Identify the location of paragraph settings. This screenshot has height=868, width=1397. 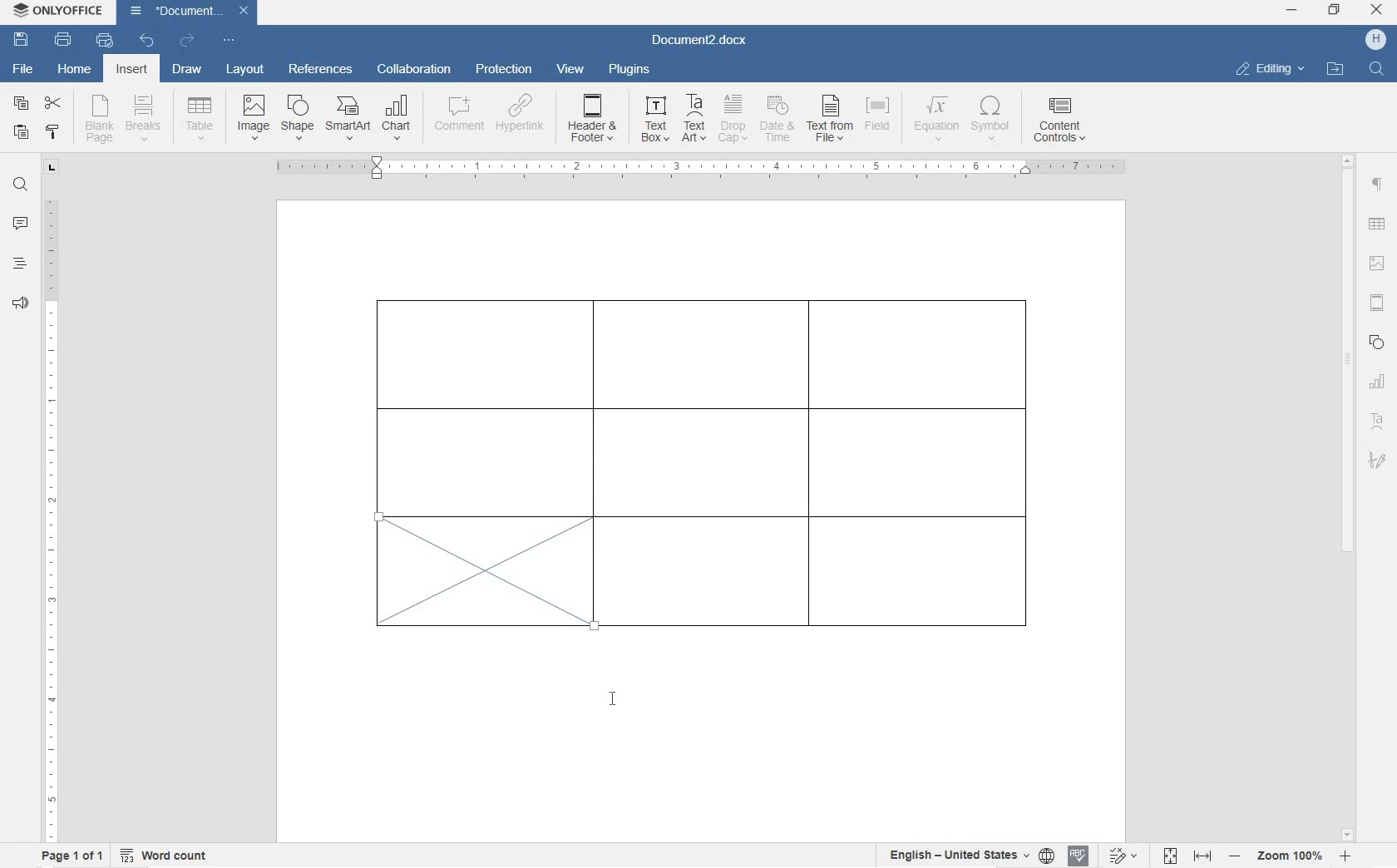
(1378, 185).